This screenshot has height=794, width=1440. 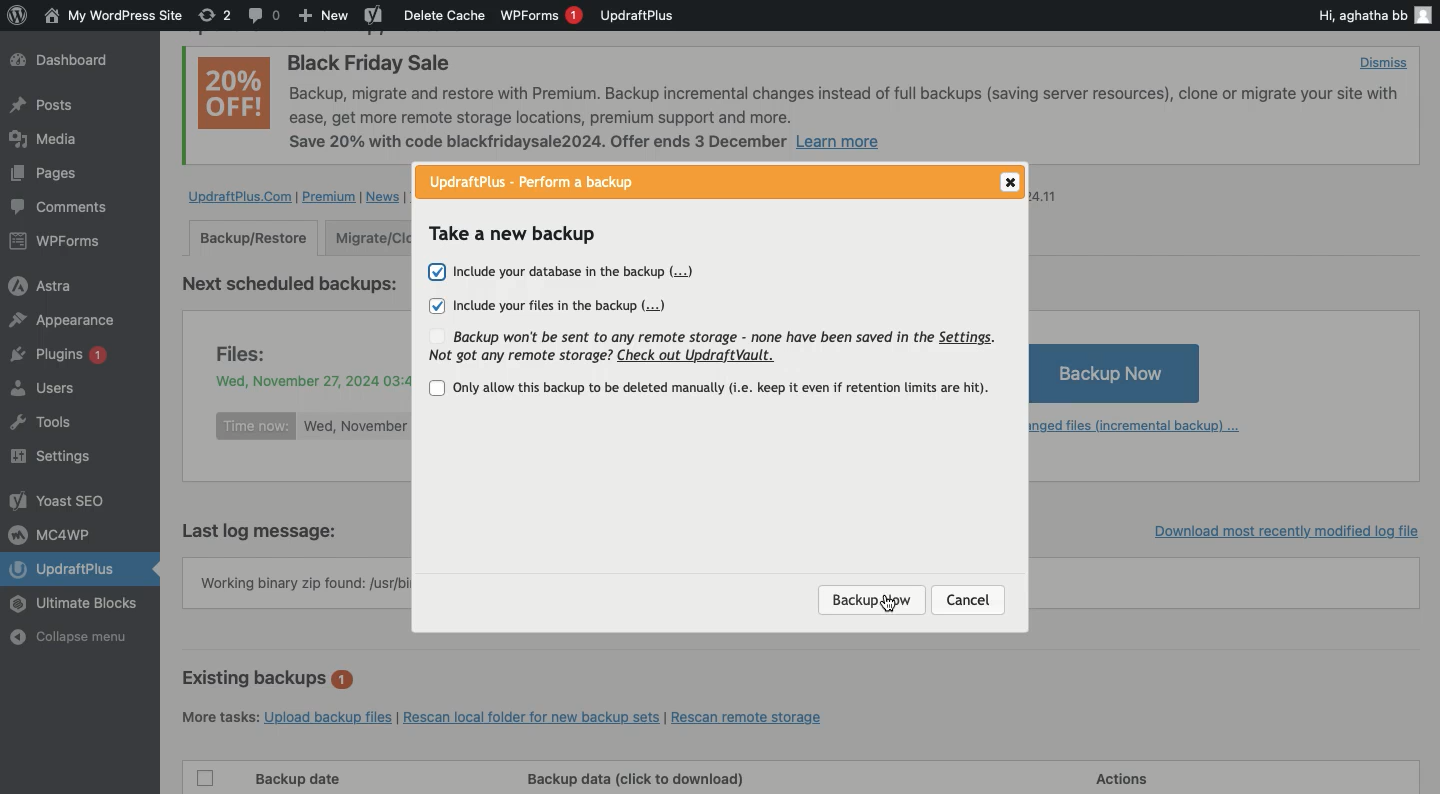 I want to click on Dismiss, so click(x=1384, y=63).